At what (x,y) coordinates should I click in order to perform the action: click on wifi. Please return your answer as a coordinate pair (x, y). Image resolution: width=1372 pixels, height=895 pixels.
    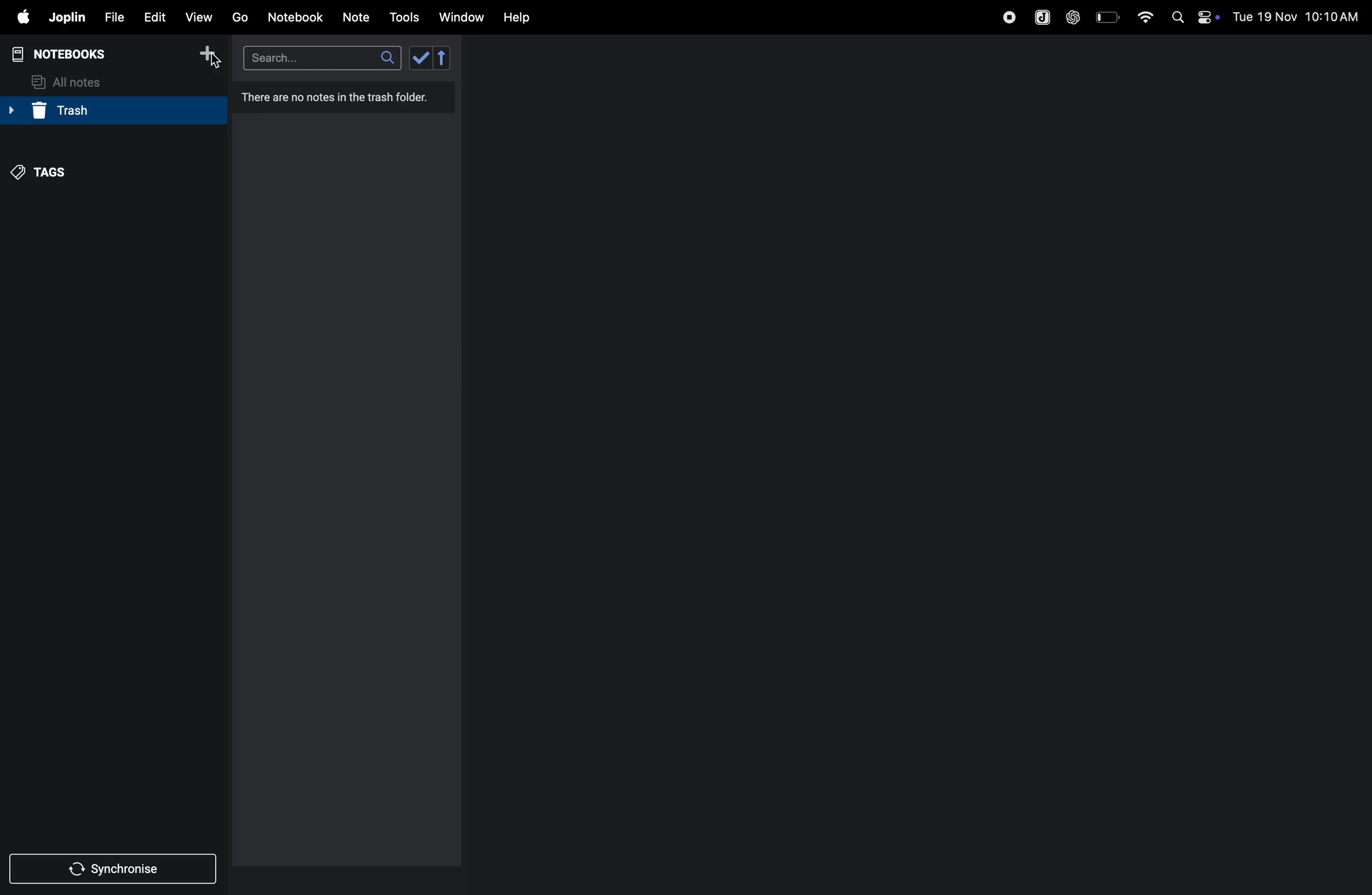
    Looking at the image, I should click on (1141, 16).